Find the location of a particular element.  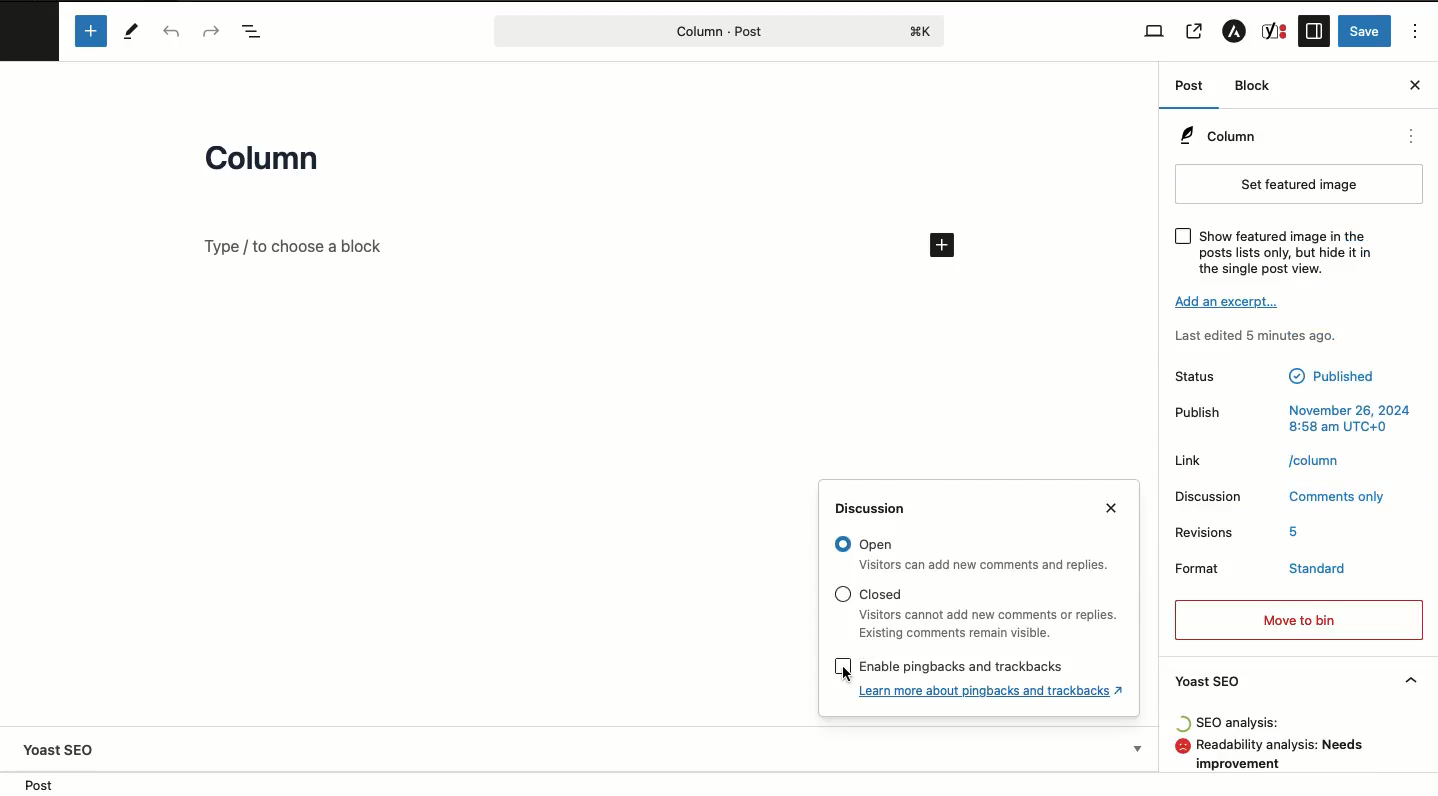

set featured image is located at coordinates (1300, 185).